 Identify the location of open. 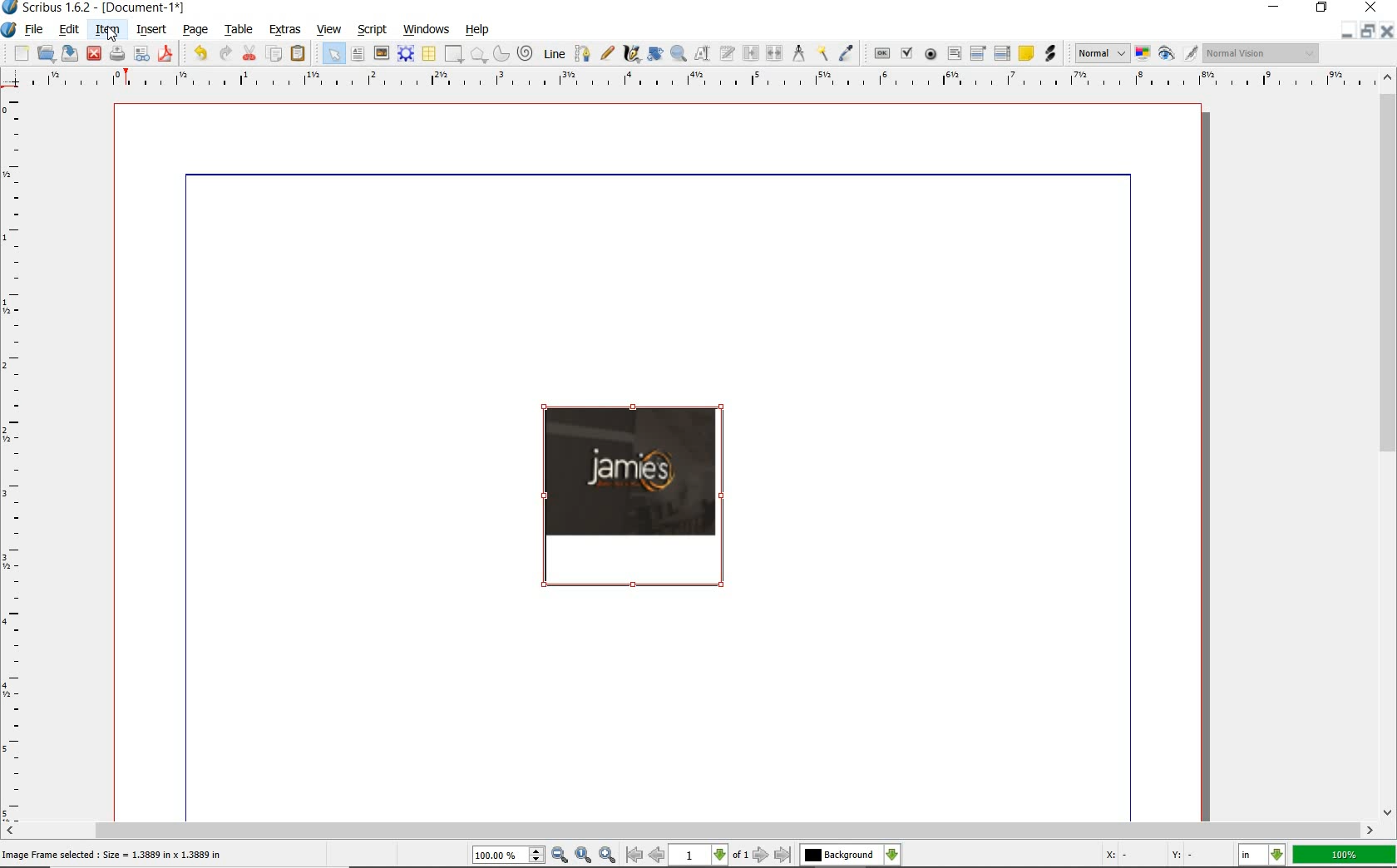
(45, 52).